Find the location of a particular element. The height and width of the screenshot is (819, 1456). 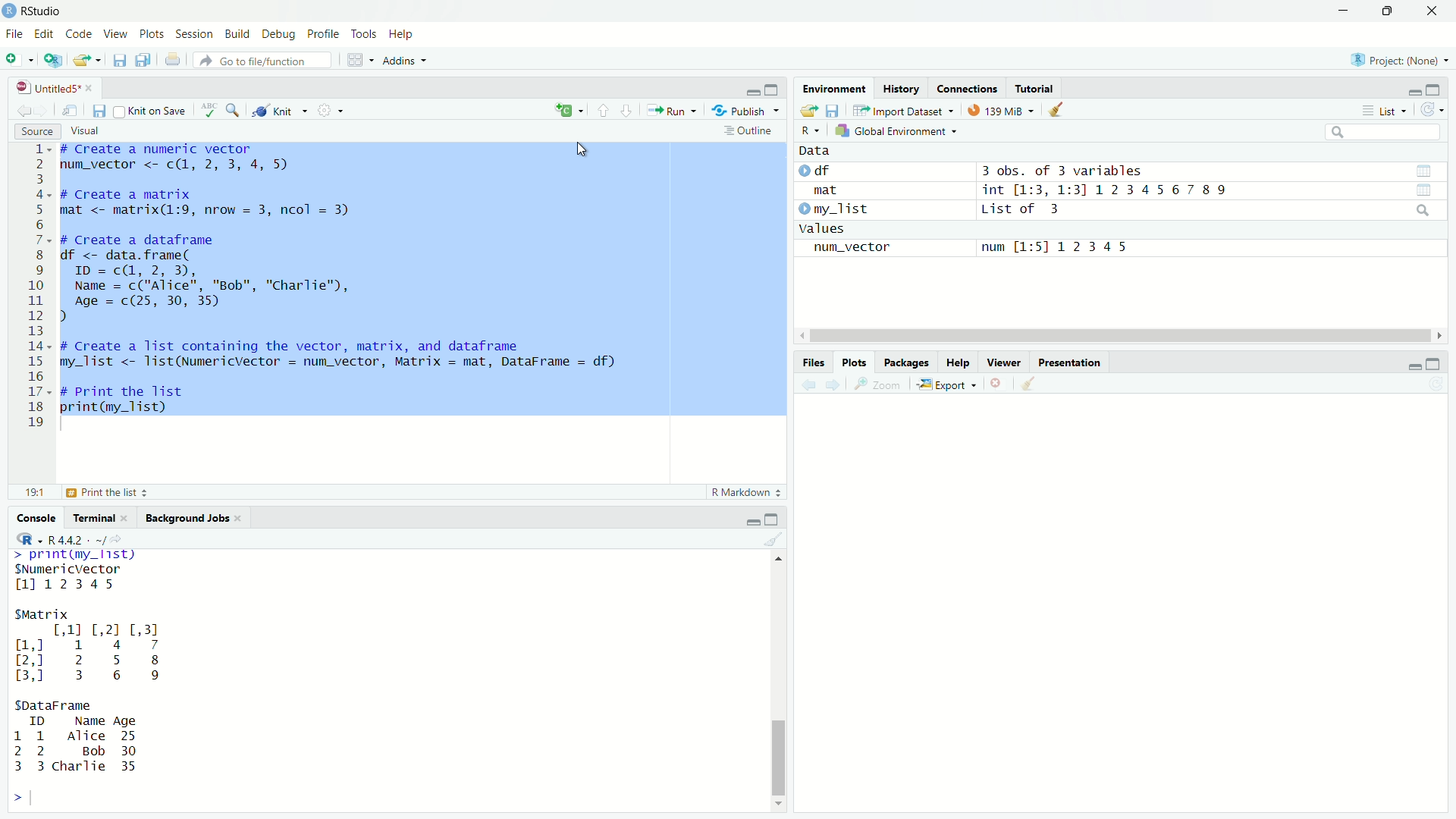

add script is located at coordinates (53, 62).